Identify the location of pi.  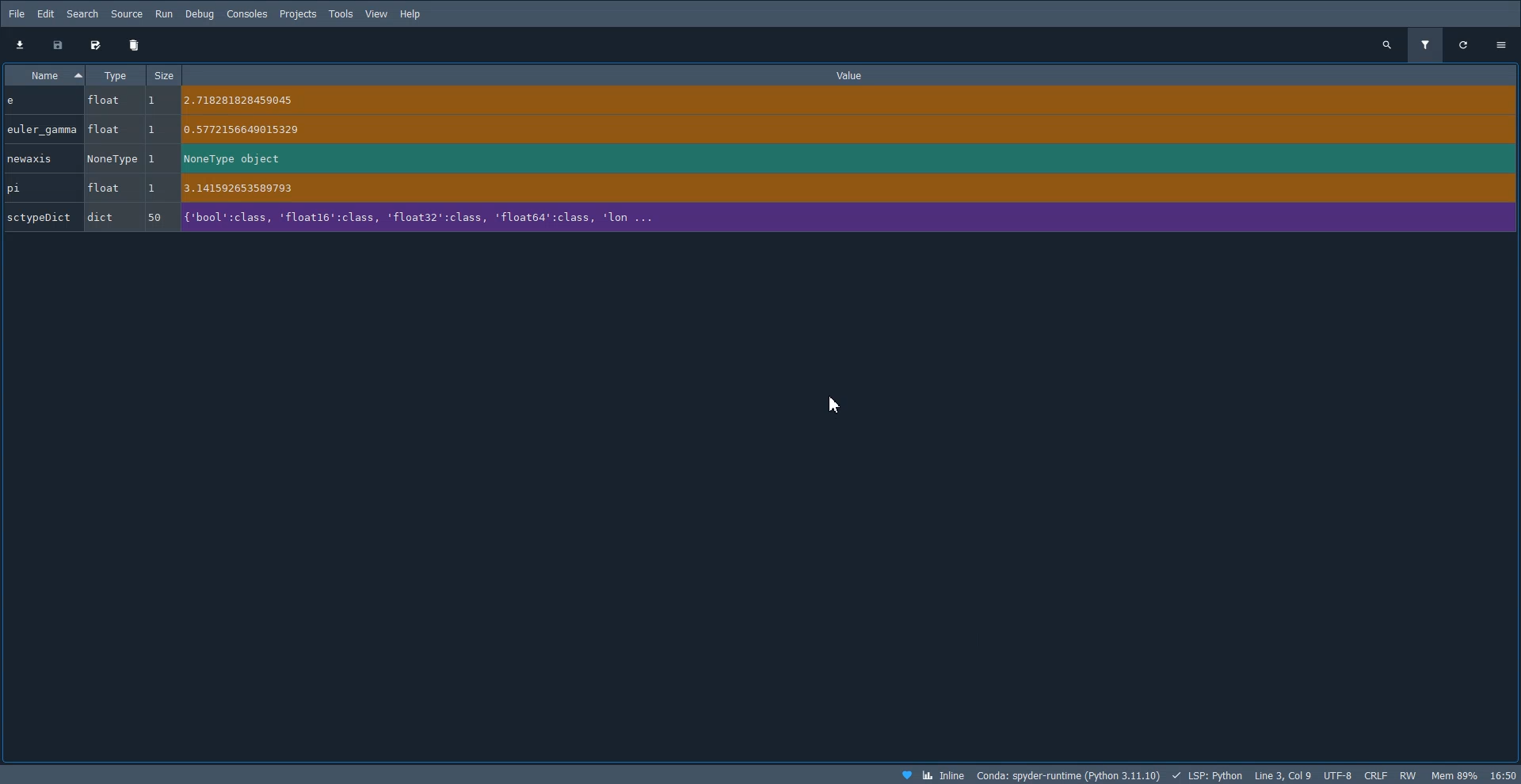
(19, 188).